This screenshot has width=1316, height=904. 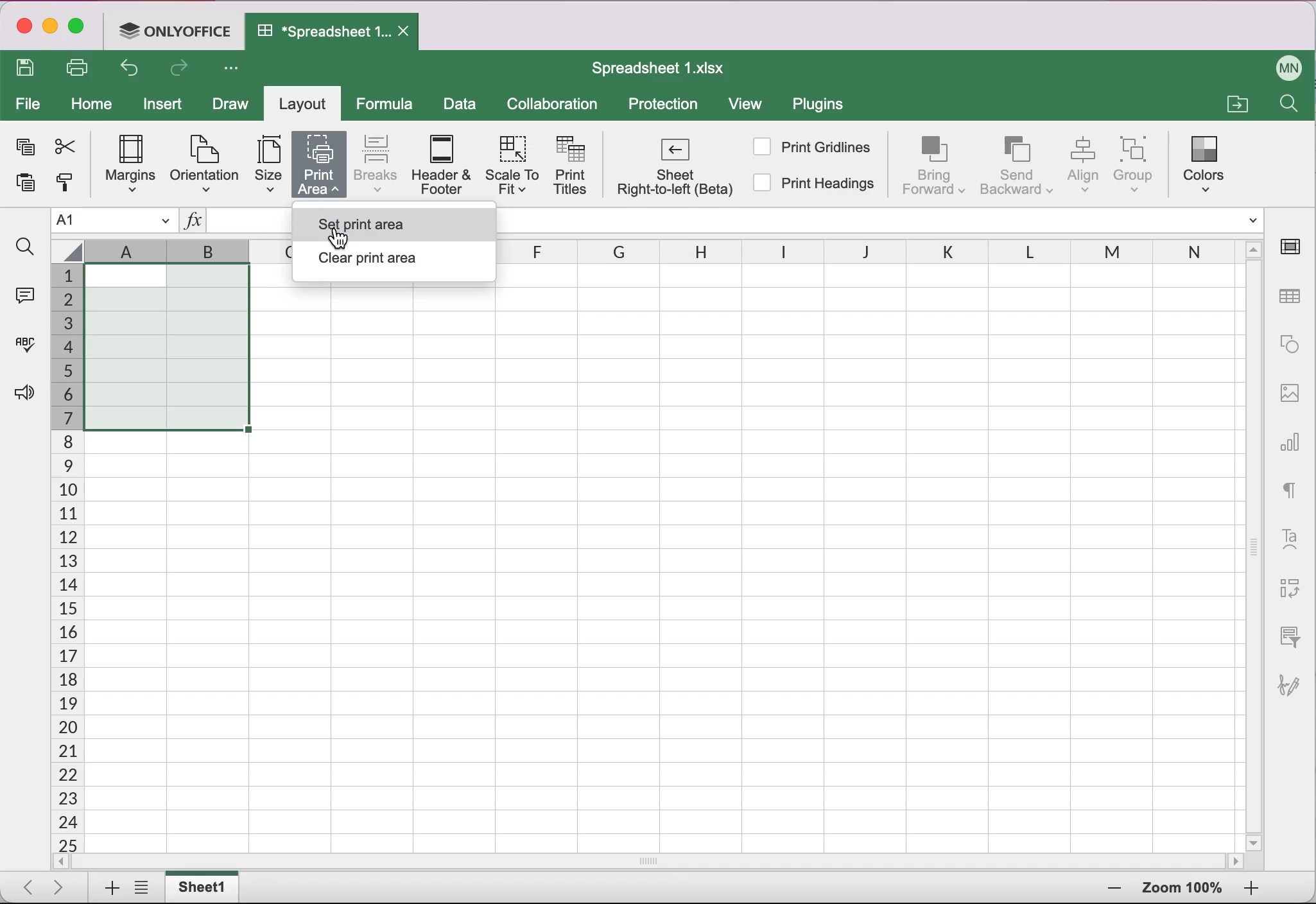 I want to click on horizontal slider, so click(x=664, y=861).